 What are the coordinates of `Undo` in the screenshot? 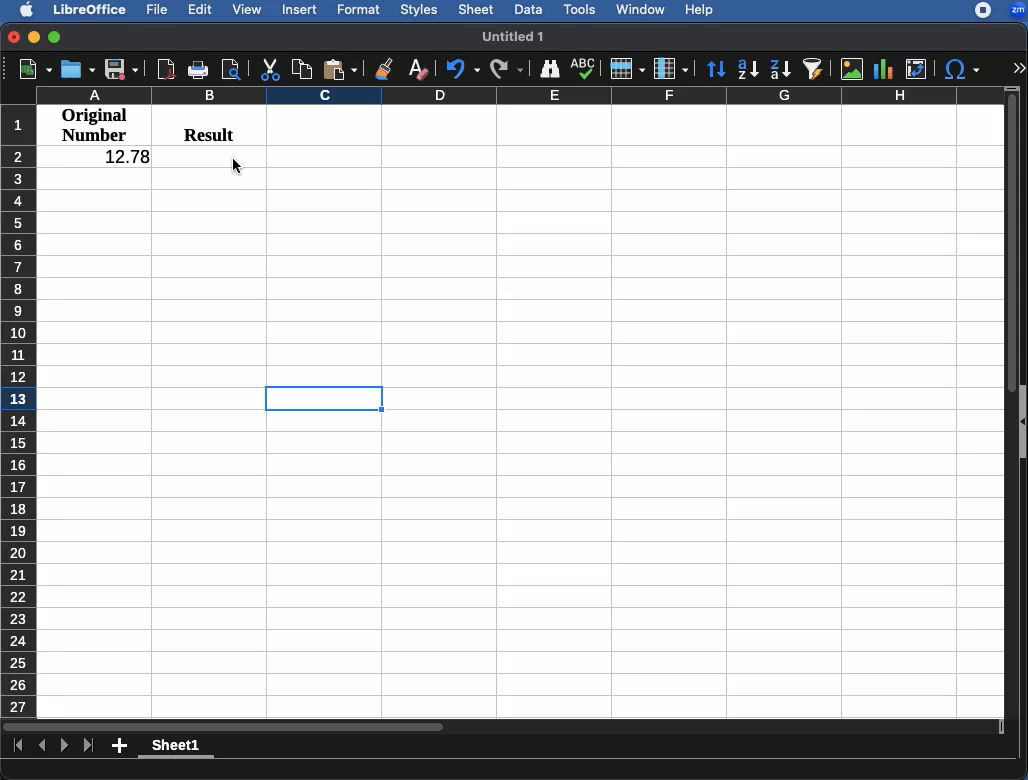 It's located at (461, 69).